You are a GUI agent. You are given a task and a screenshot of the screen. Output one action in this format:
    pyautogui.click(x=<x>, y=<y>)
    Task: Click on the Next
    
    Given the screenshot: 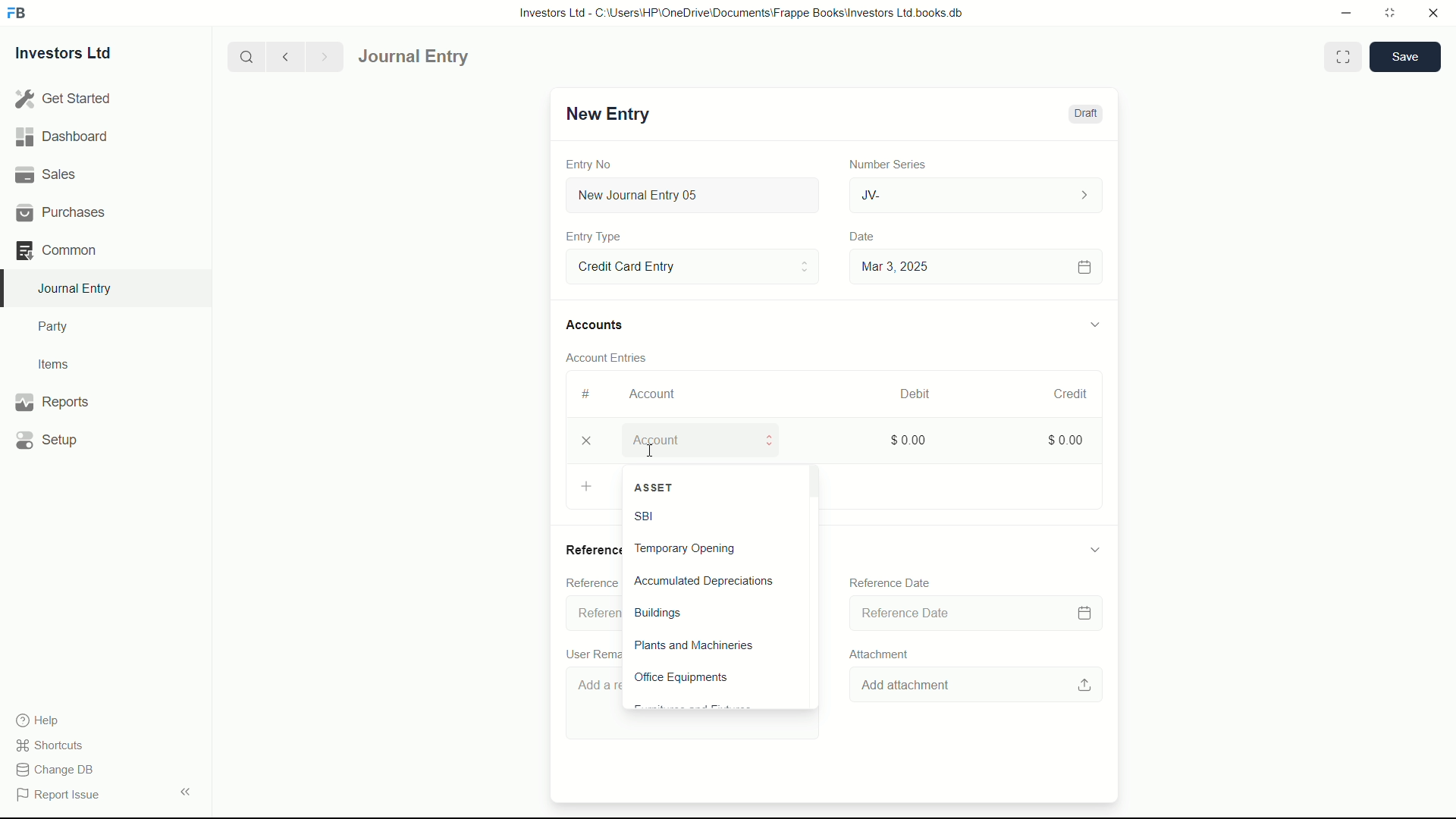 What is the action you would take?
    pyautogui.click(x=322, y=56)
    